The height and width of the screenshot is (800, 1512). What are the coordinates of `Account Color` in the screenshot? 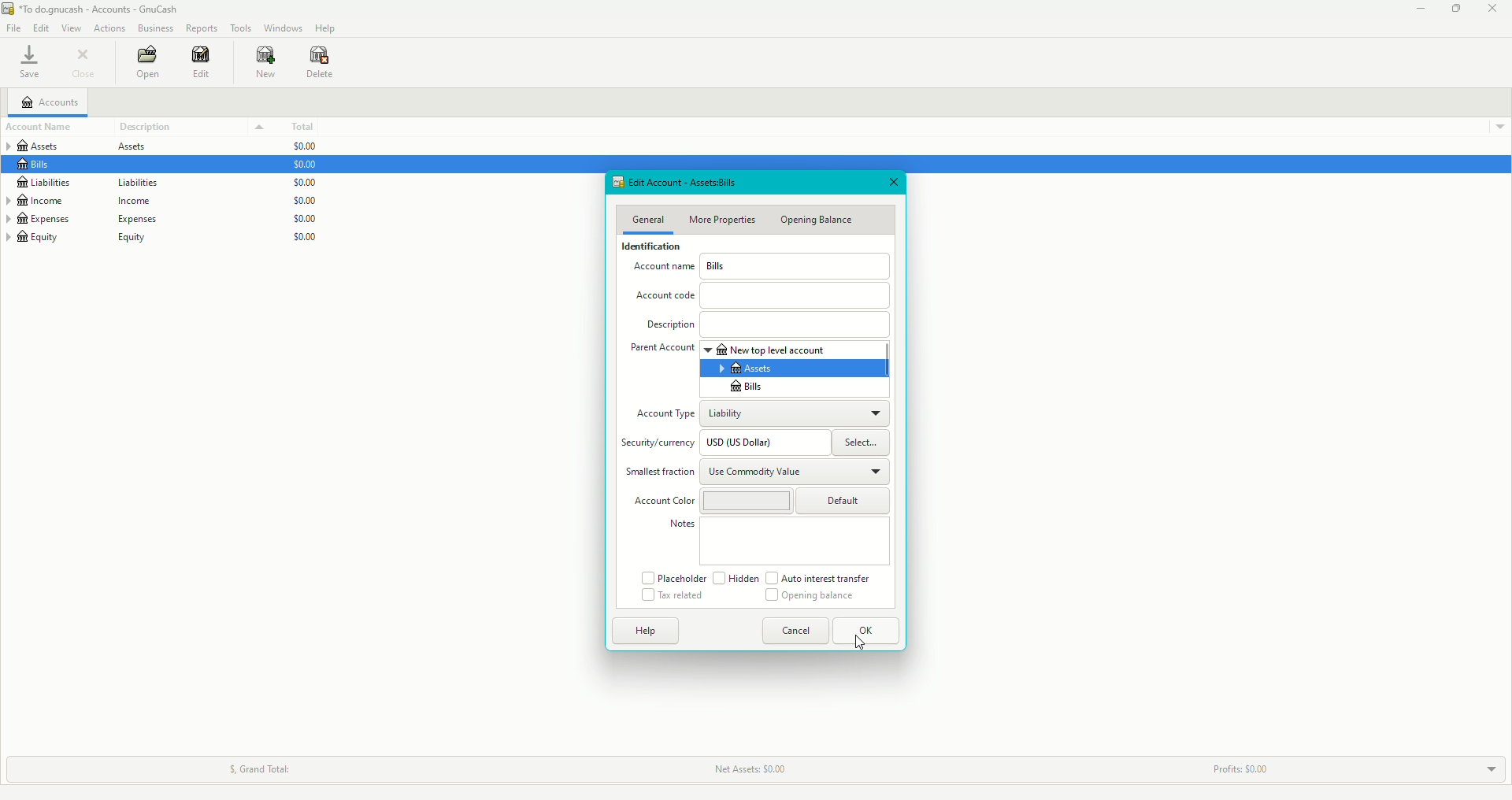 It's located at (661, 501).